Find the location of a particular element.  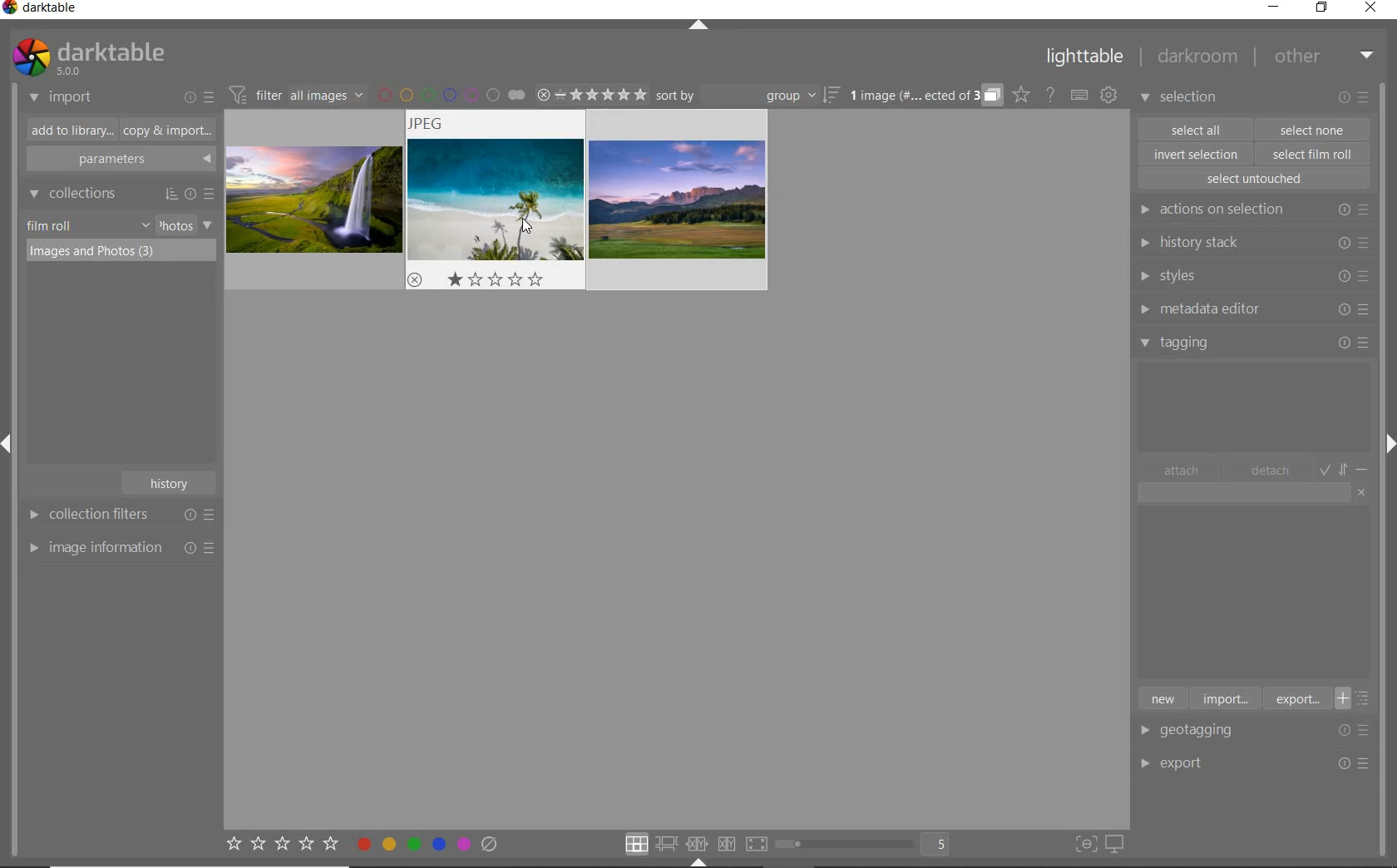

click to change the type of overlay shown on thumbnails is located at coordinates (1022, 95).